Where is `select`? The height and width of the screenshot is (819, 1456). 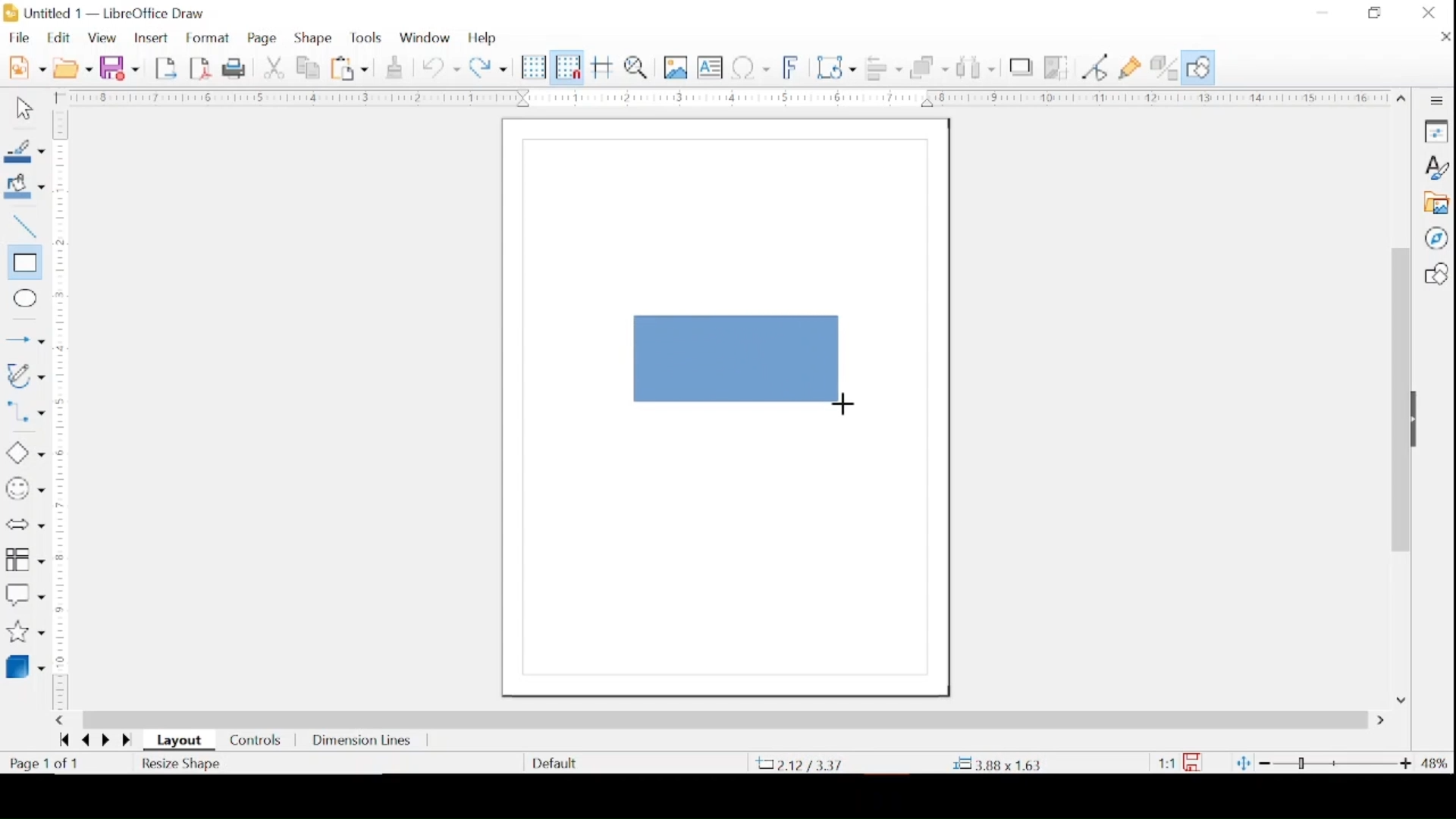
select is located at coordinates (22, 109).